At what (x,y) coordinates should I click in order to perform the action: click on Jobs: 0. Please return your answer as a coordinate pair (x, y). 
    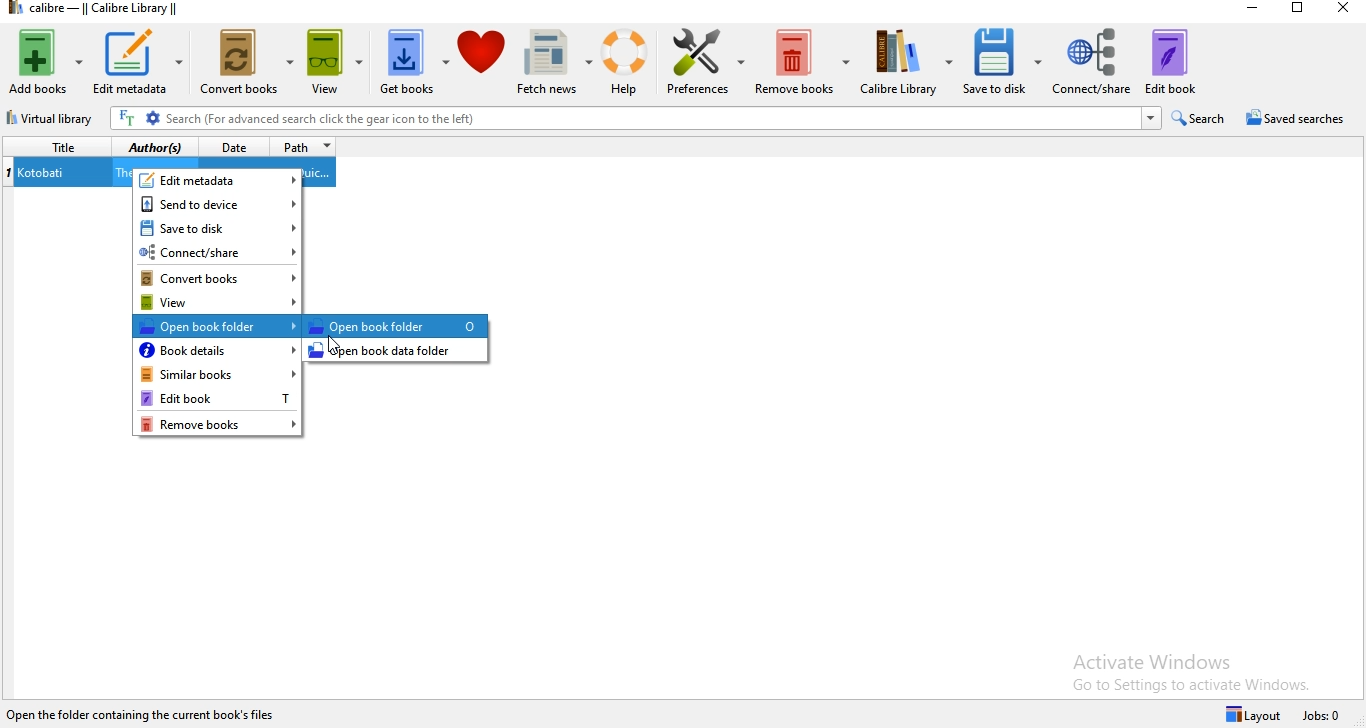
    Looking at the image, I should click on (1324, 714).